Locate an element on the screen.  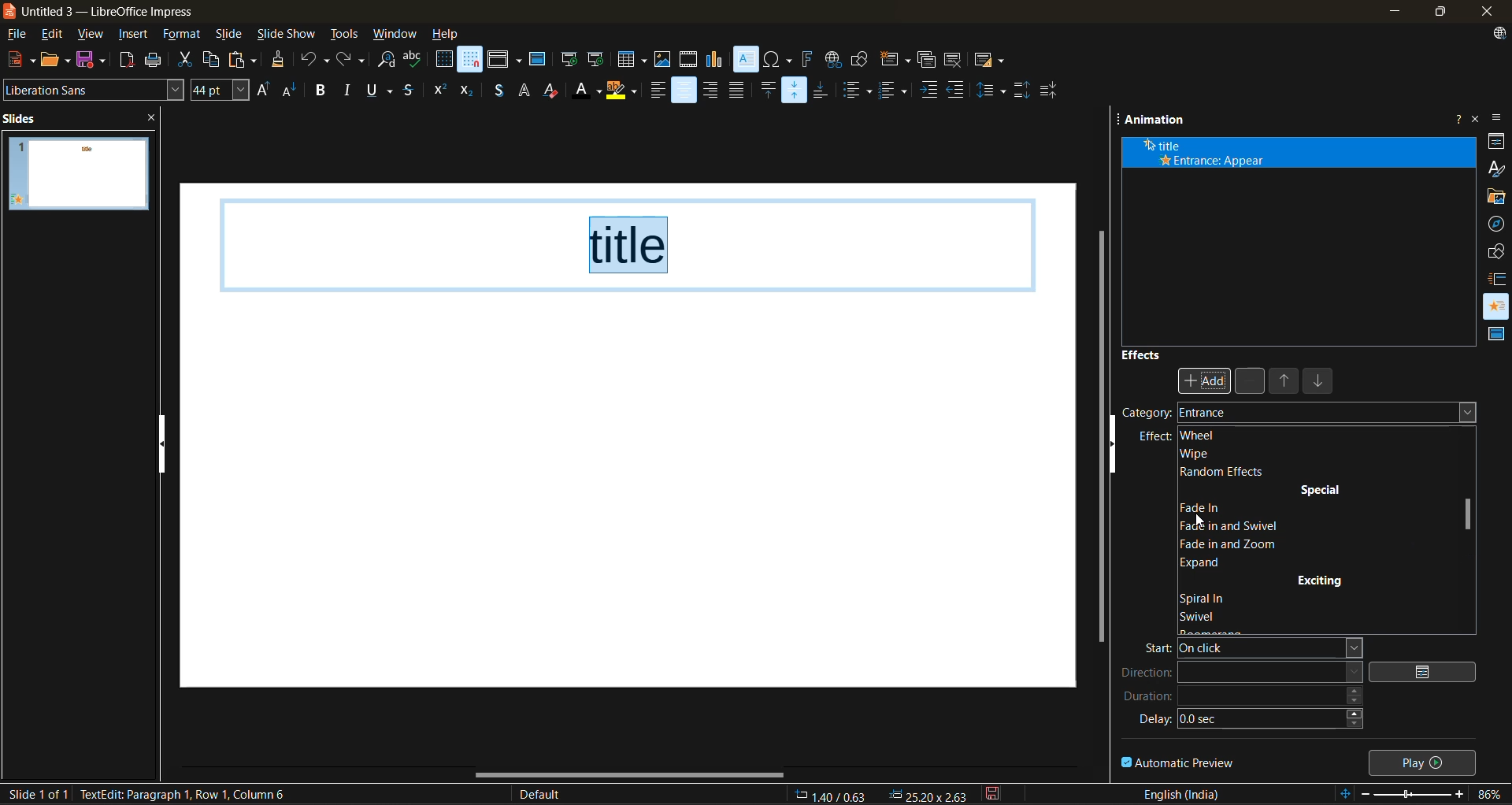
vertical scroll bar is located at coordinates (1102, 429).